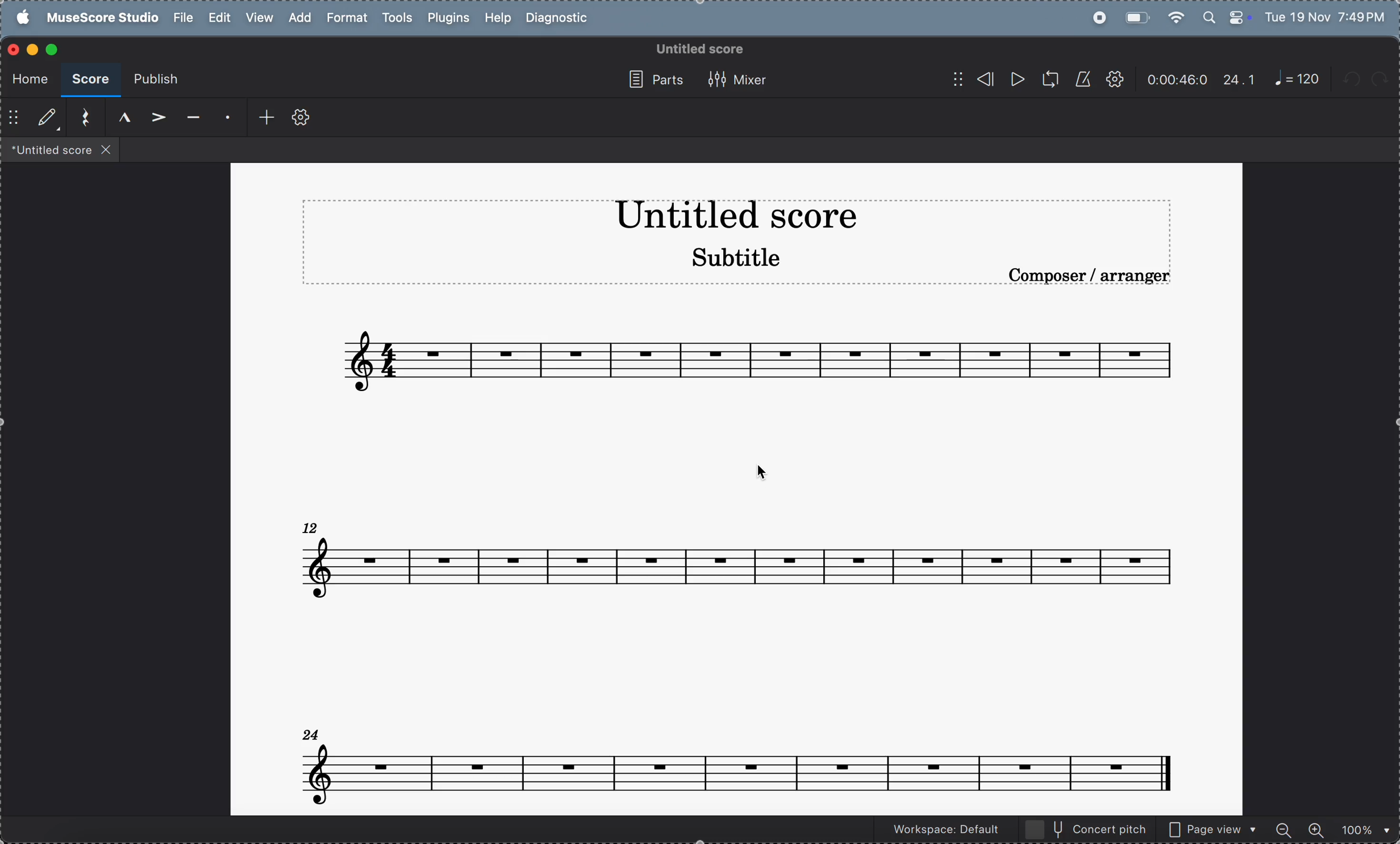 The image size is (1400, 844). Describe the element at coordinates (972, 79) in the screenshot. I see `rewind` at that location.